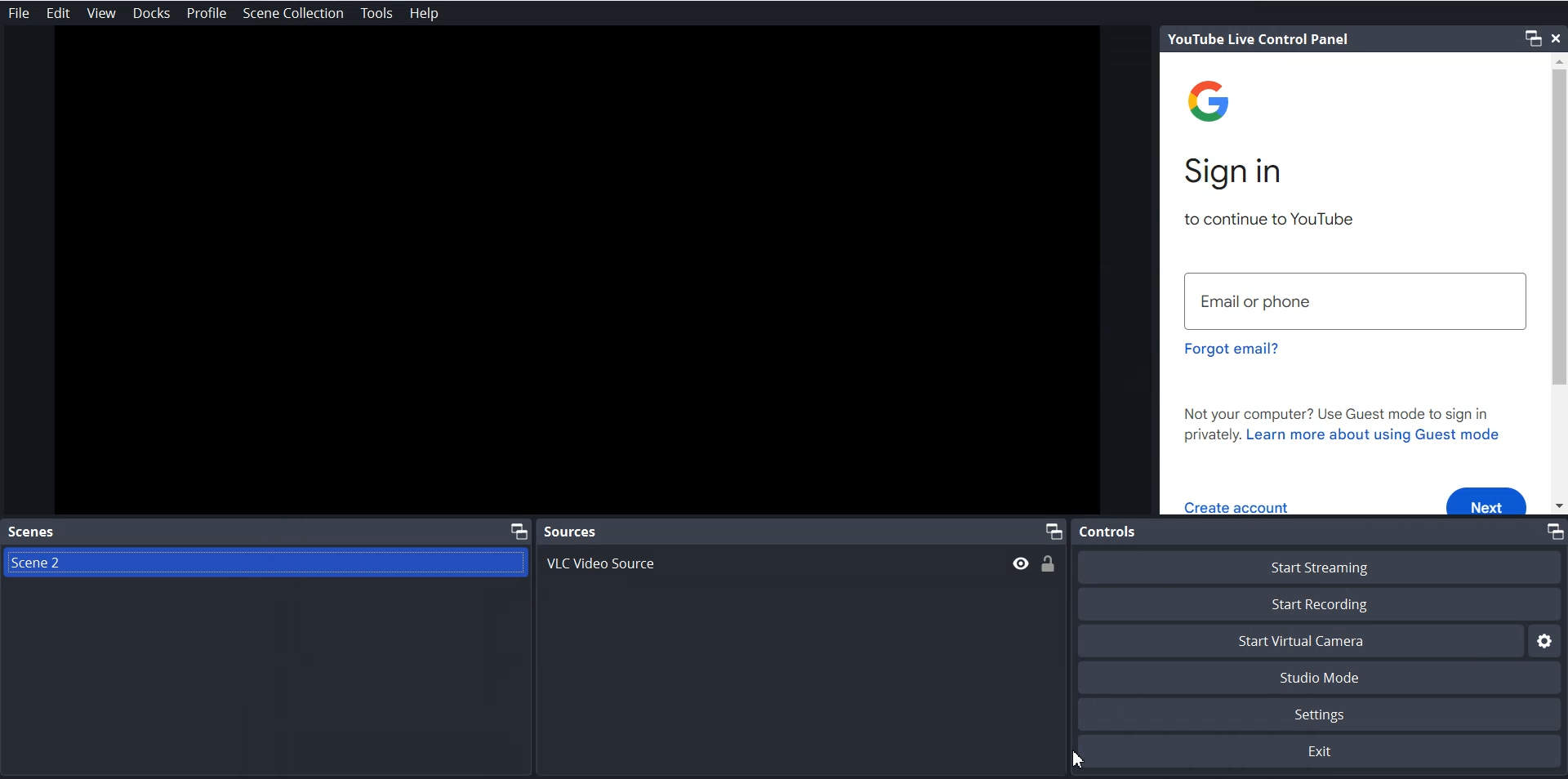 Image resolution: width=1568 pixels, height=779 pixels. Describe the element at coordinates (1489, 499) in the screenshot. I see `next` at that location.